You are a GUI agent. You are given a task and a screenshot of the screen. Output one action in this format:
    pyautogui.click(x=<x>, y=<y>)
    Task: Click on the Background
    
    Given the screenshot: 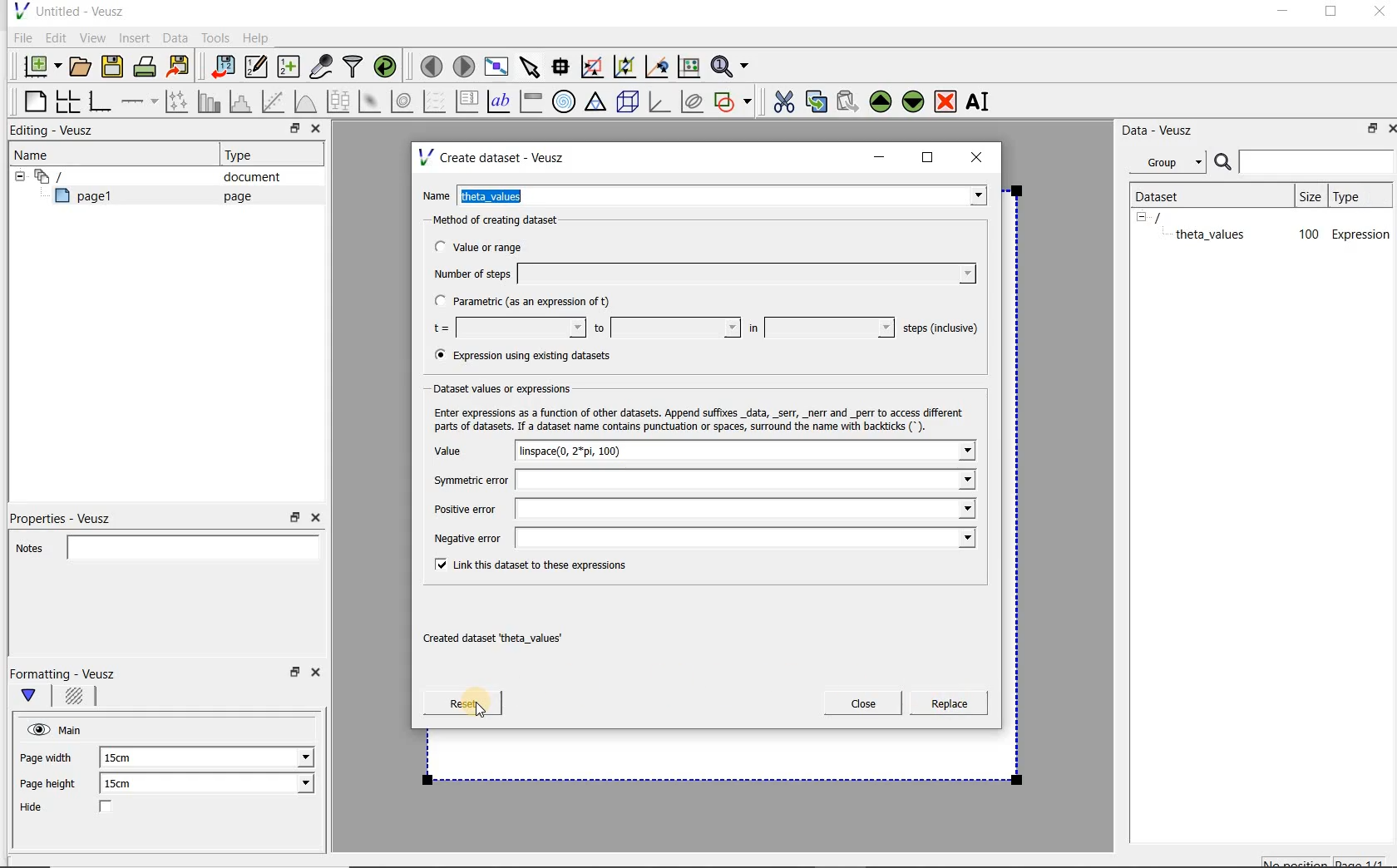 What is the action you would take?
    pyautogui.click(x=77, y=698)
    